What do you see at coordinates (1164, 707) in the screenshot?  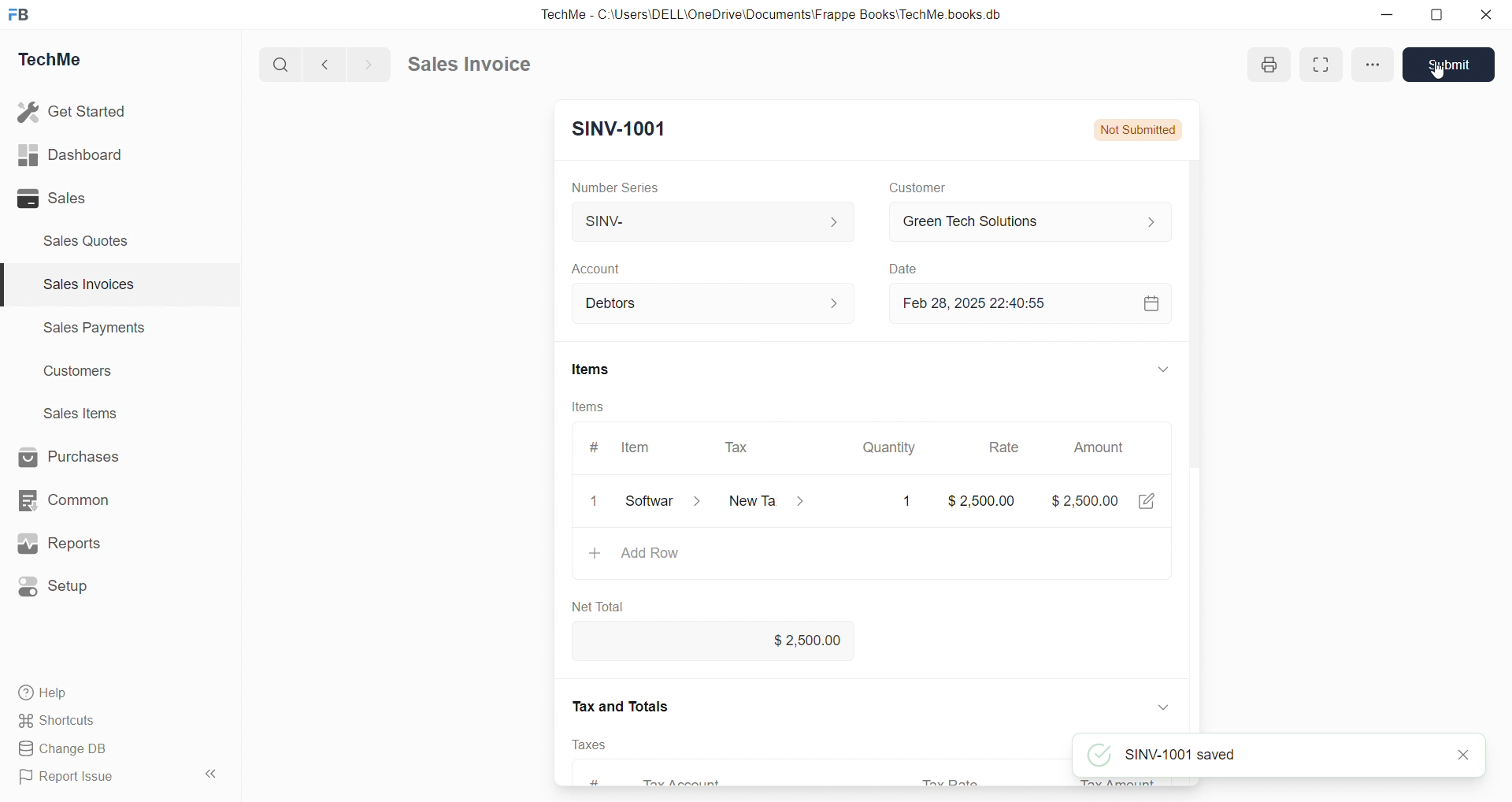 I see `down` at bounding box center [1164, 707].